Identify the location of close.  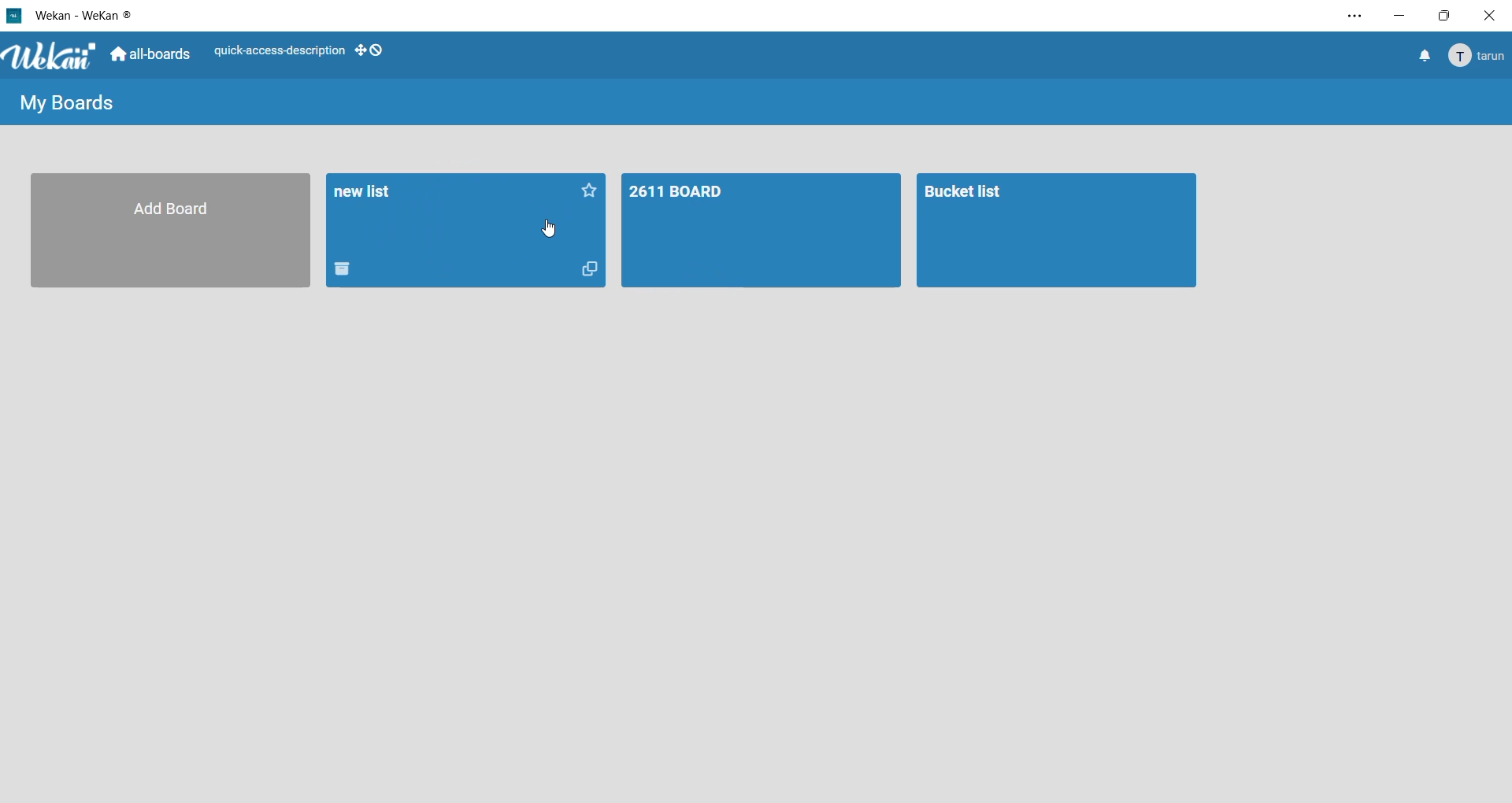
(1488, 16).